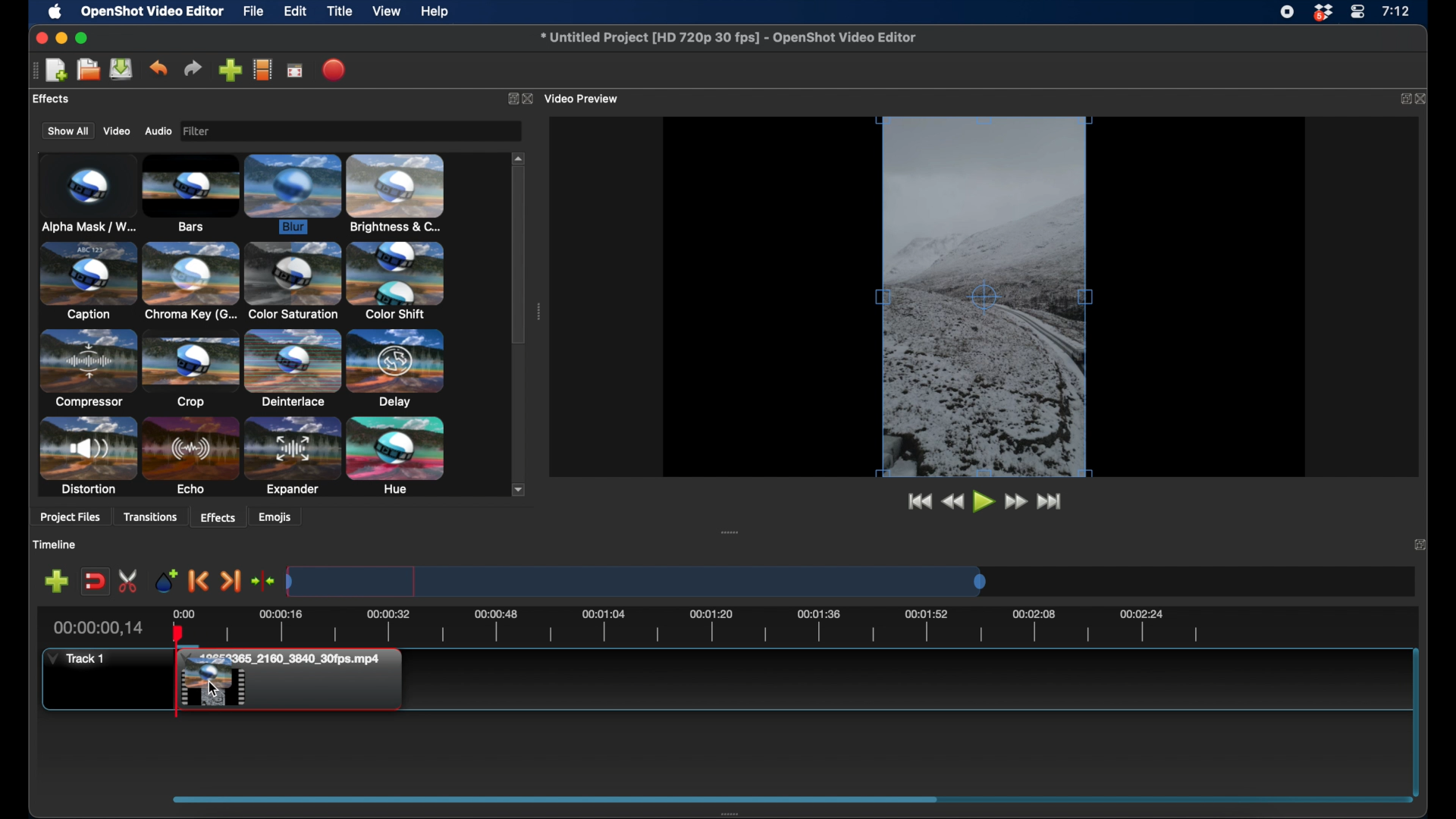 This screenshot has width=1456, height=819. What do you see at coordinates (1404, 99) in the screenshot?
I see `expand` at bounding box center [1404, 99].